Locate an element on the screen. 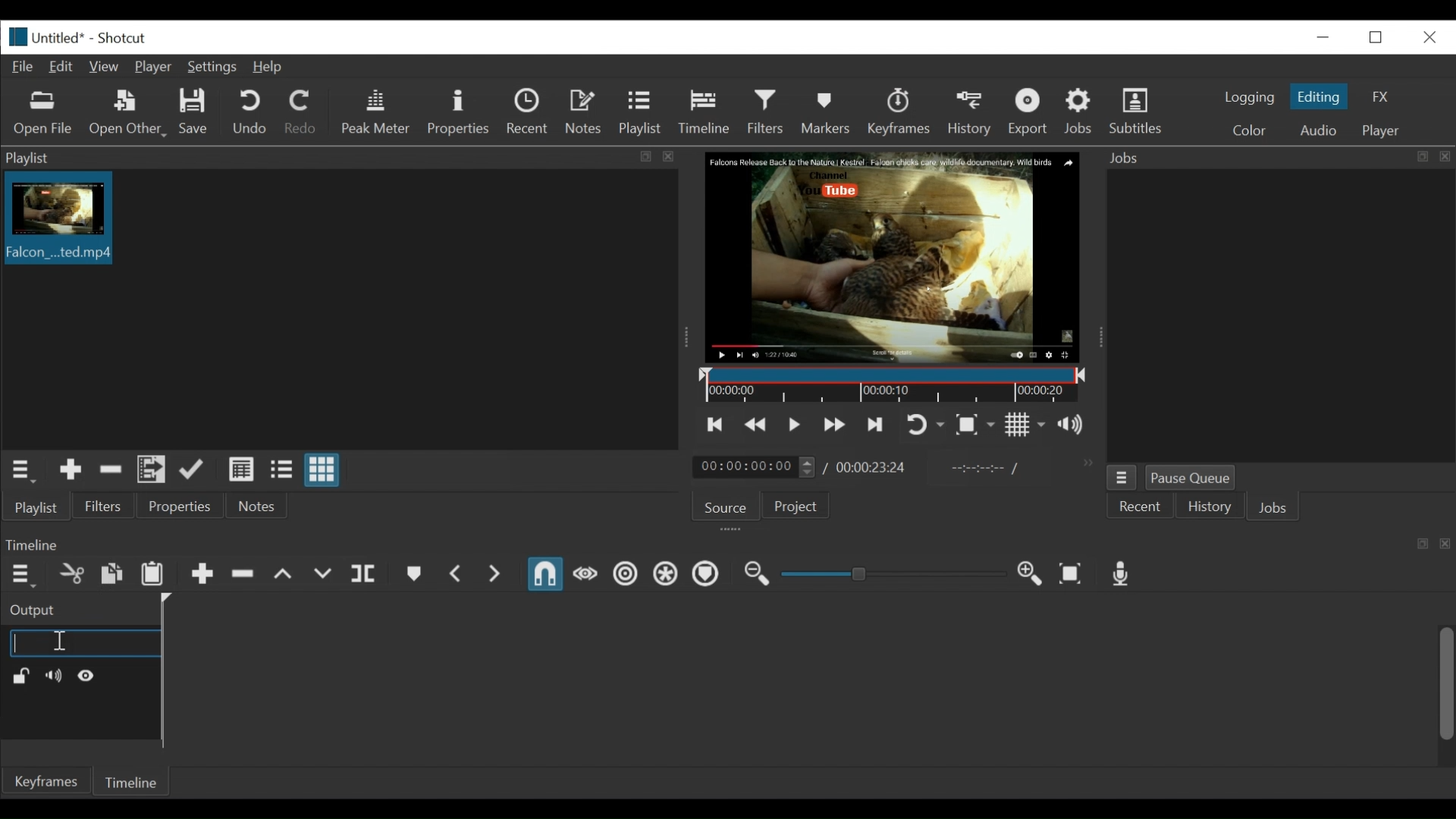 Image resolution: width=1456 pixels, height=819 pixels. Restore is located at coordinates (1373, 36).